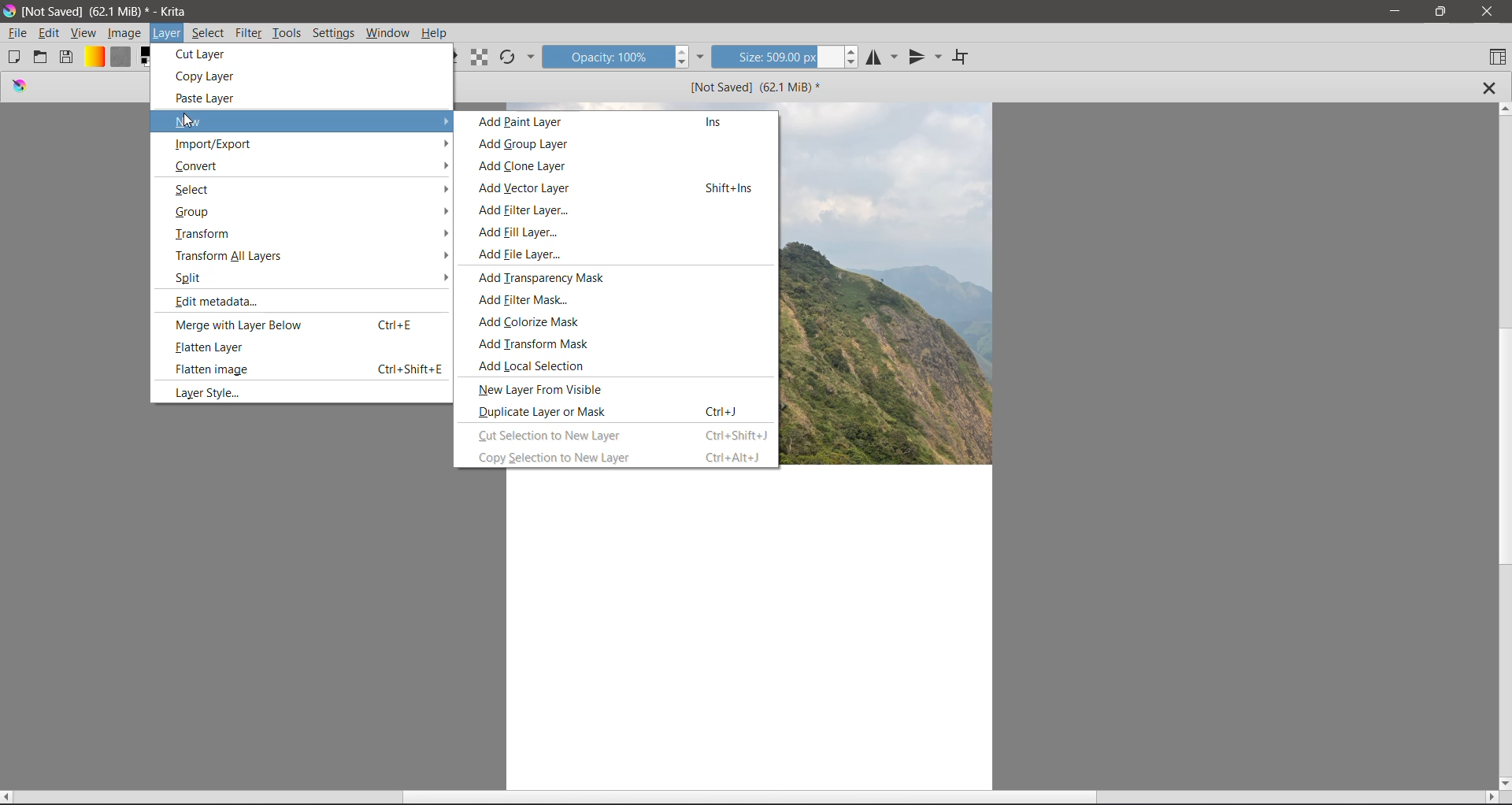  What do you see at coordinates (1440, 12) in the screenshot?
I see `Restore Down` at bounding box center [1440, 12].